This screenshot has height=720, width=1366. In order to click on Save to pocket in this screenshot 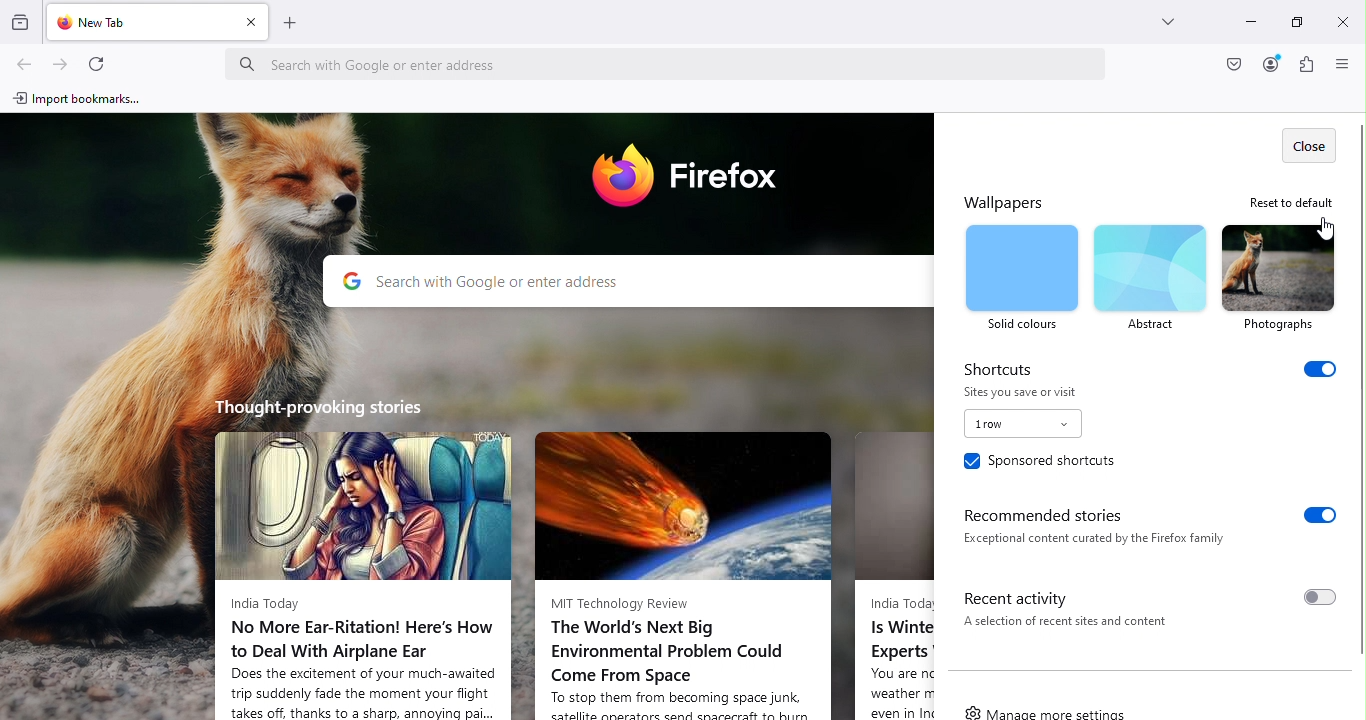, I will do `click(1230, 66)`.